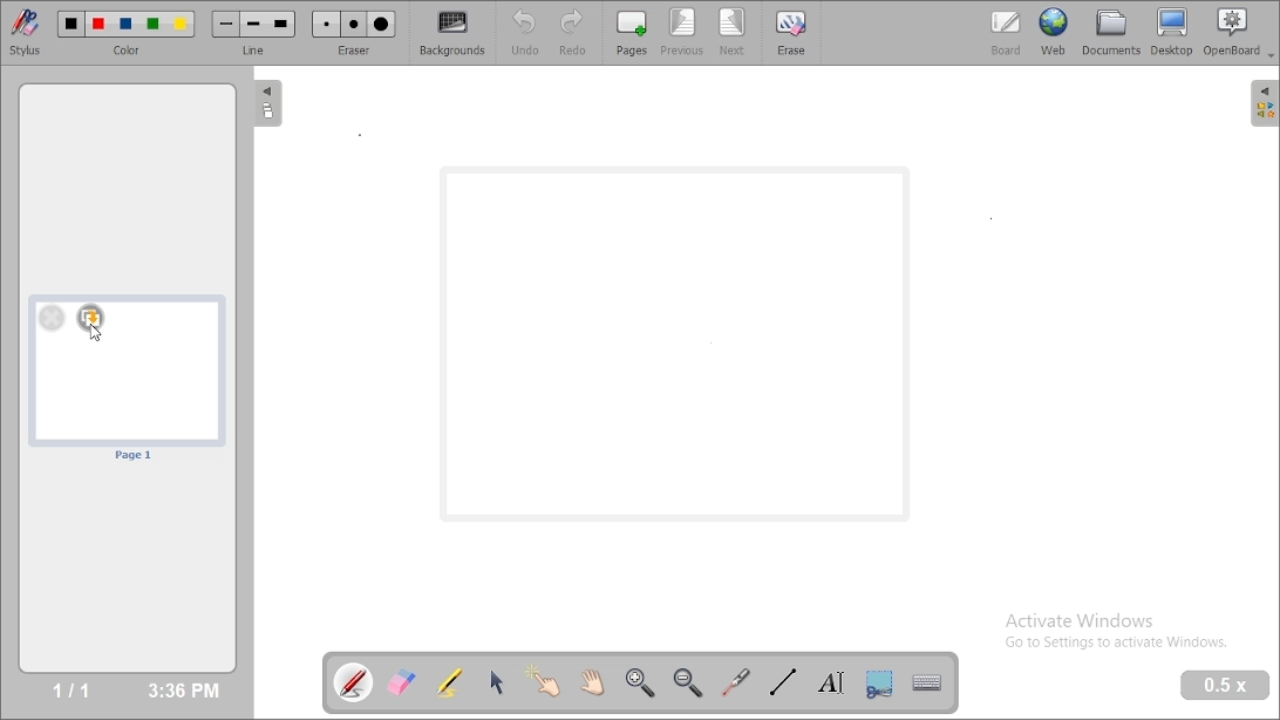 This screenshot has height=720, width=1280. What do you see at coordinates (266, 105) in the screenshot?
I see `The flatplan (left panel)` at bounding box center [266, 105].